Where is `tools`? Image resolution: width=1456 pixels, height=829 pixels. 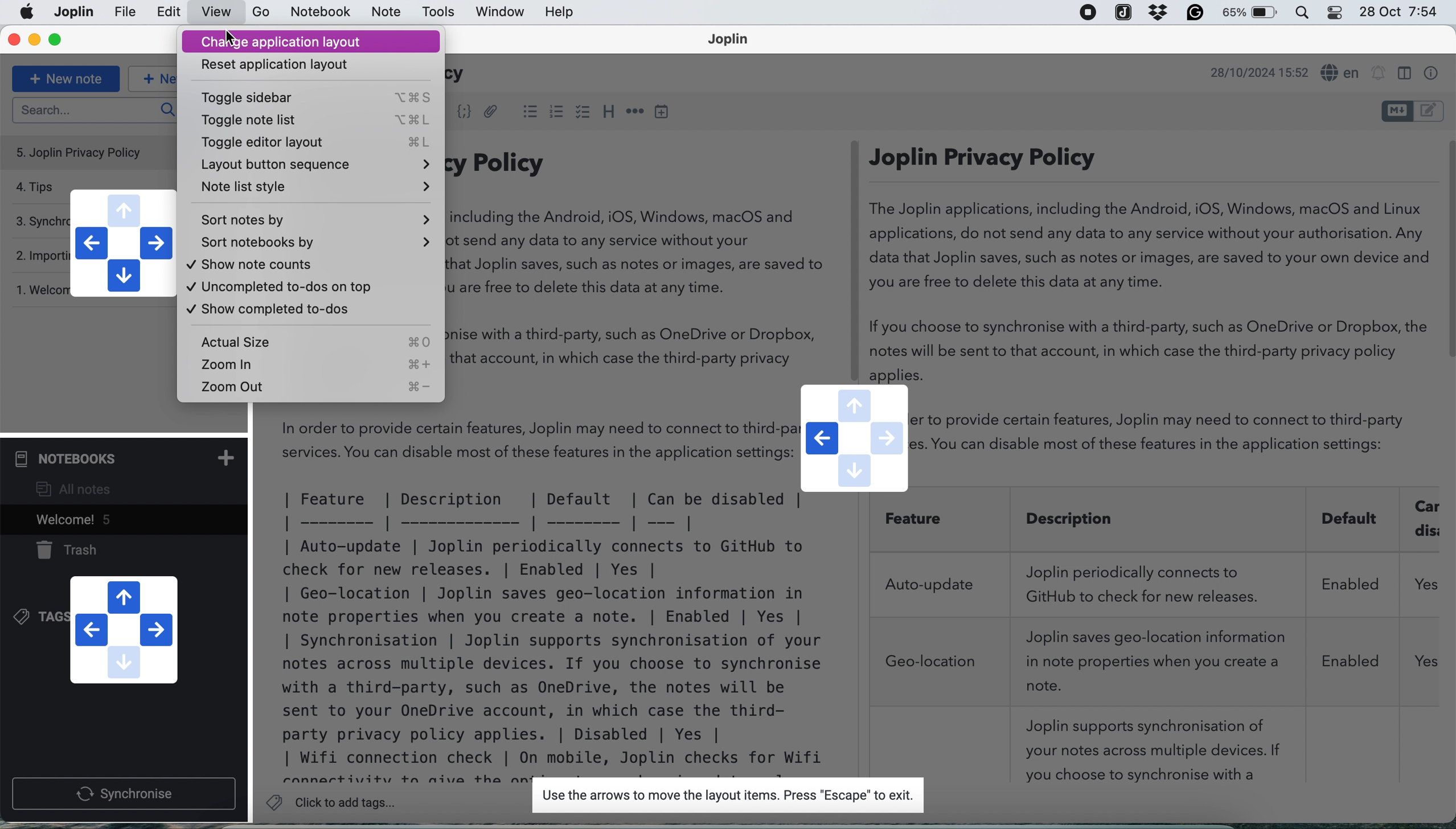 tools is located at coordinates (439, 13).